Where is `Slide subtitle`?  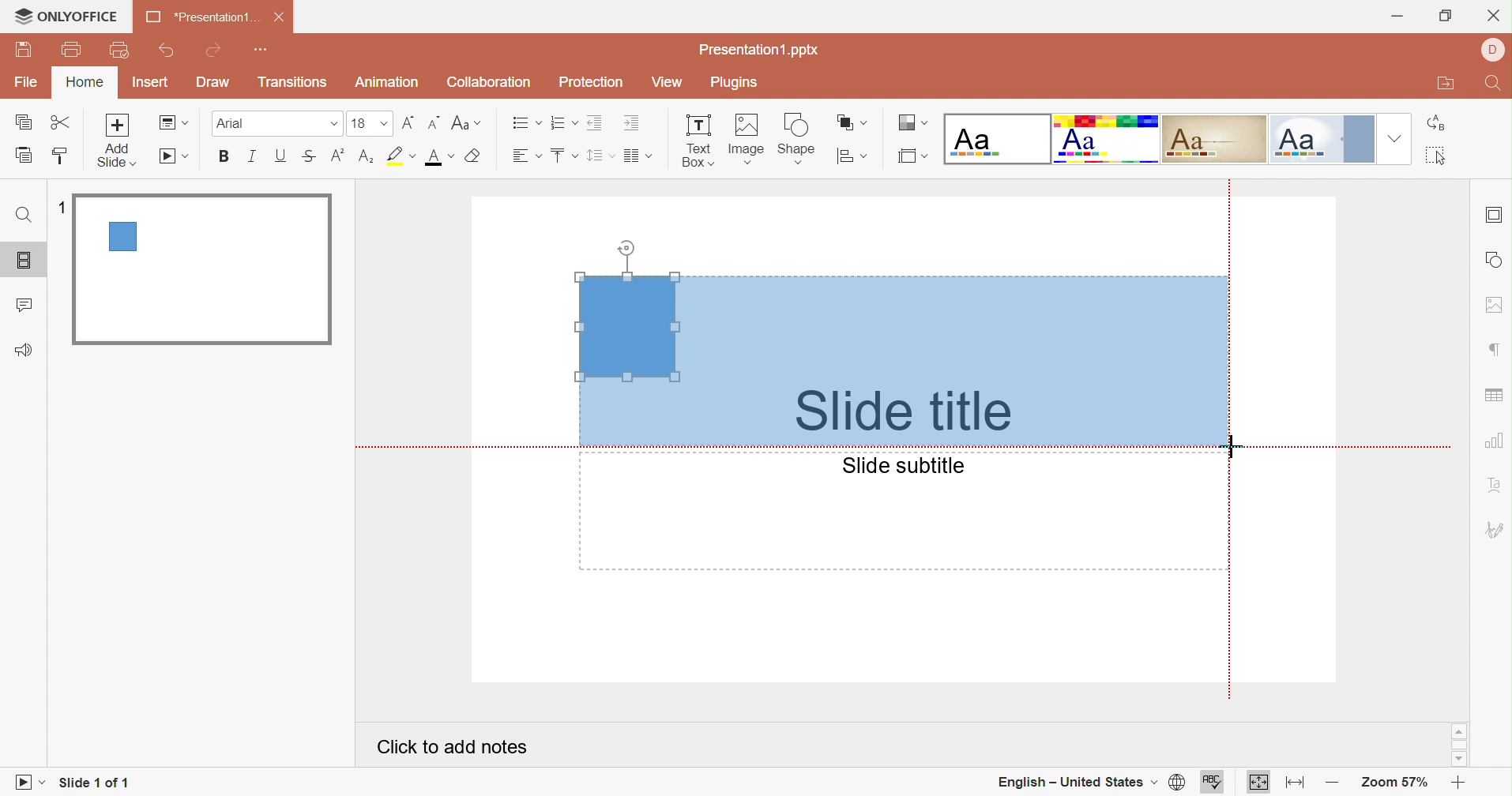 Slide subtitle is located at coordinates (901, 465).